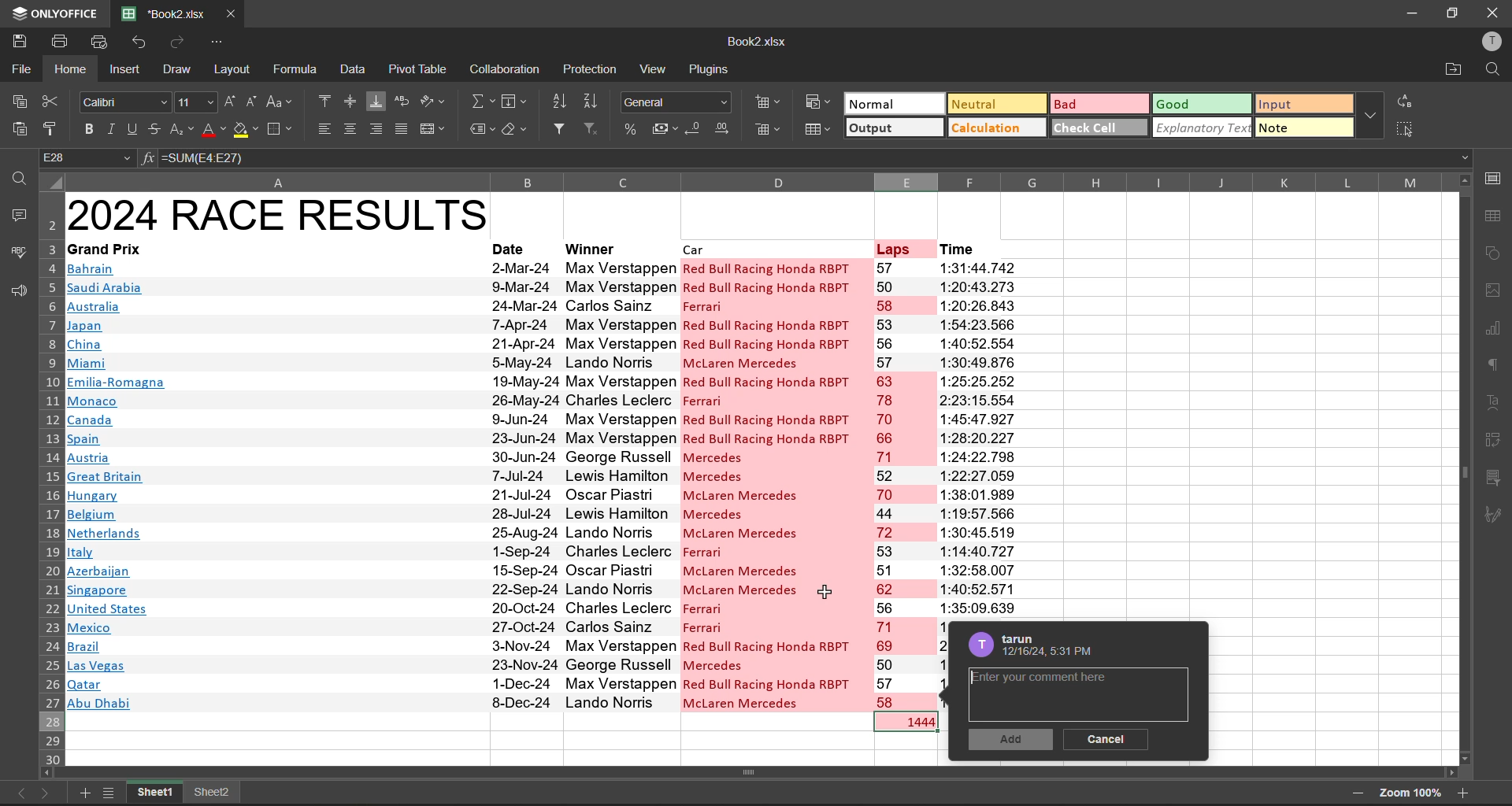 This screenshot has height=806, width=1512. I want to click on sort descending, so click(595, 100).